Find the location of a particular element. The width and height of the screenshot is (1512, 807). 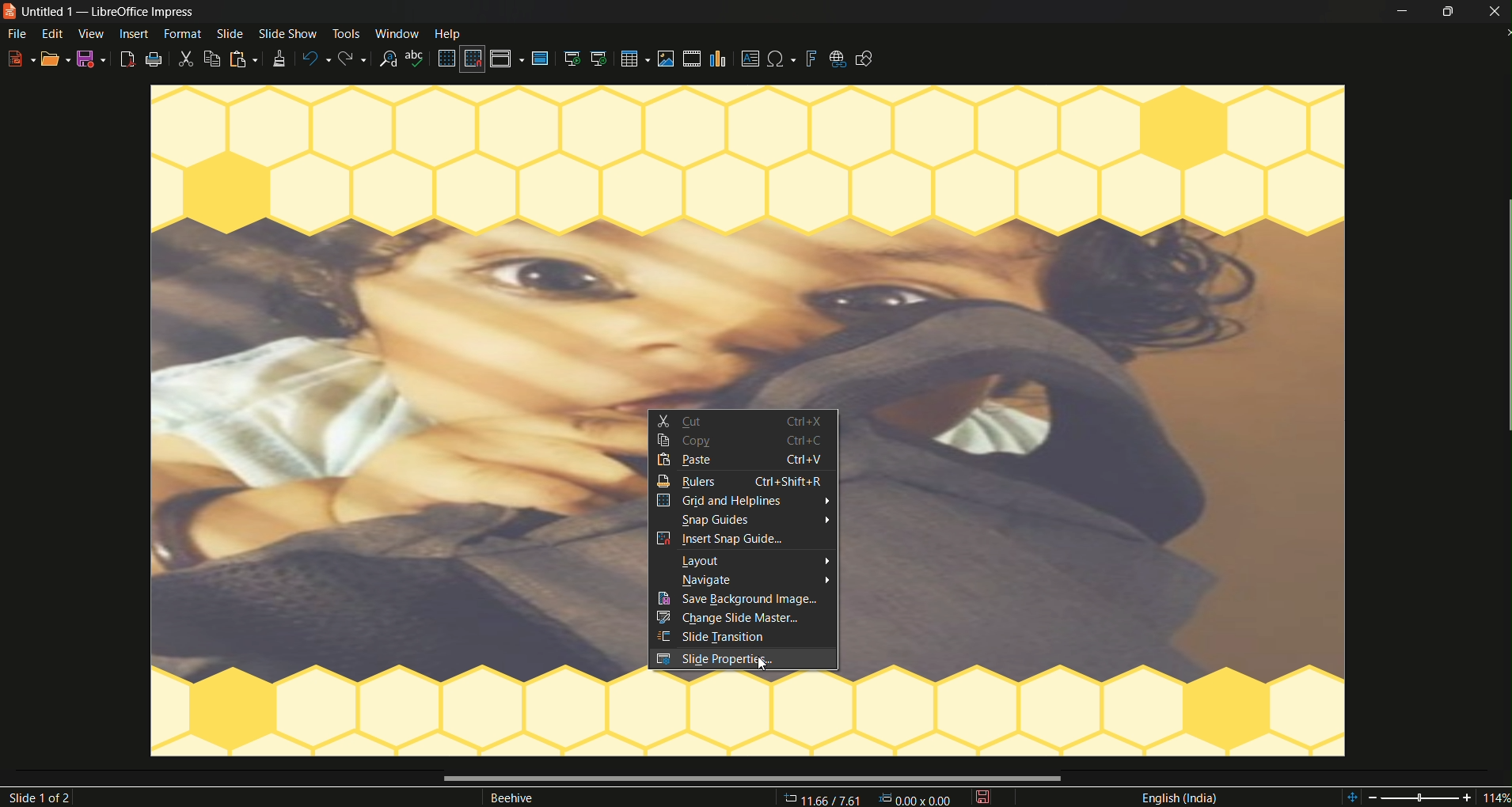

open is located at coordinates (56, 59).